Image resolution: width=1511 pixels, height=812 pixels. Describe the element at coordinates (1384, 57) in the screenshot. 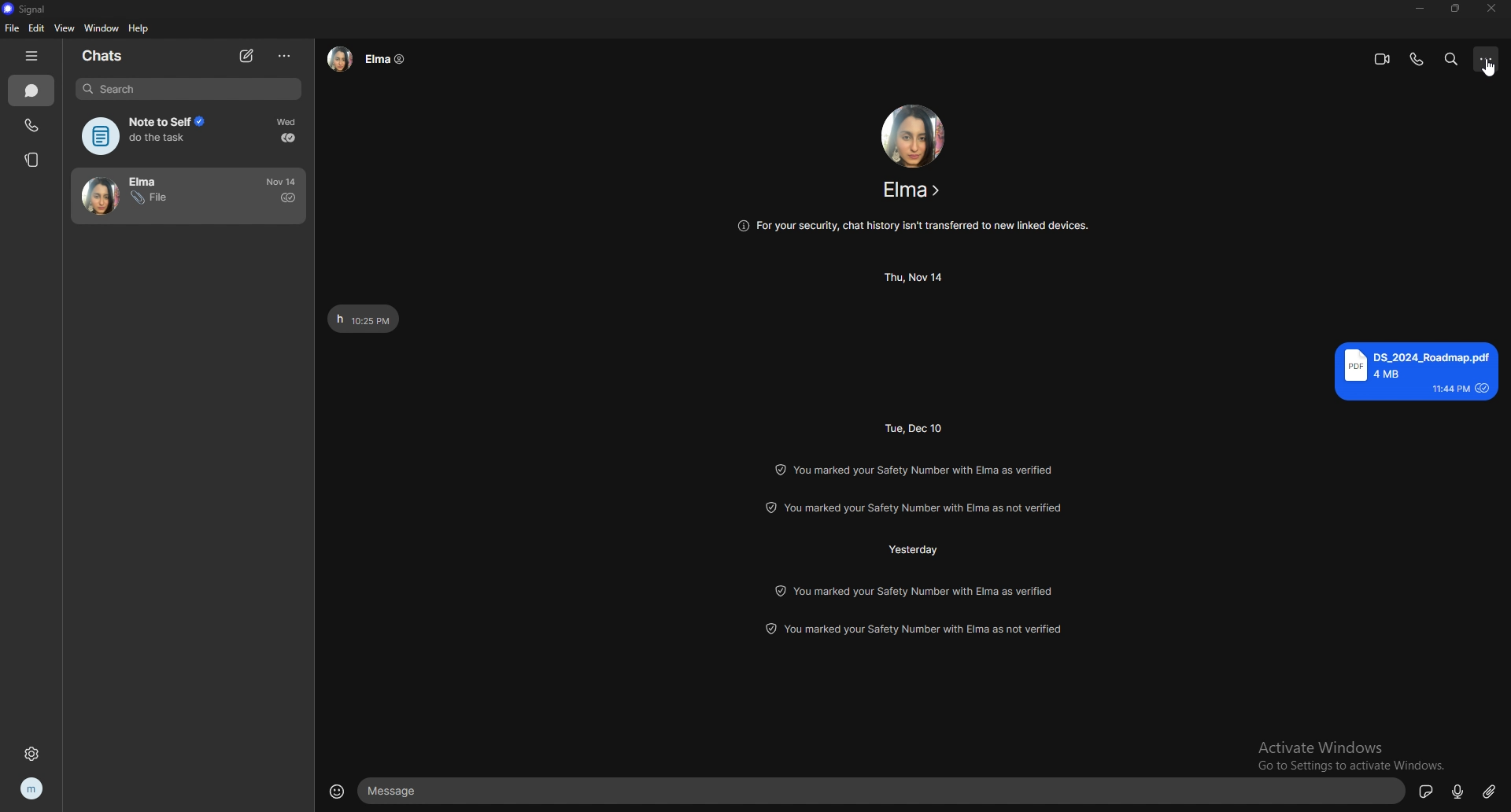

I see `video call` at that location.